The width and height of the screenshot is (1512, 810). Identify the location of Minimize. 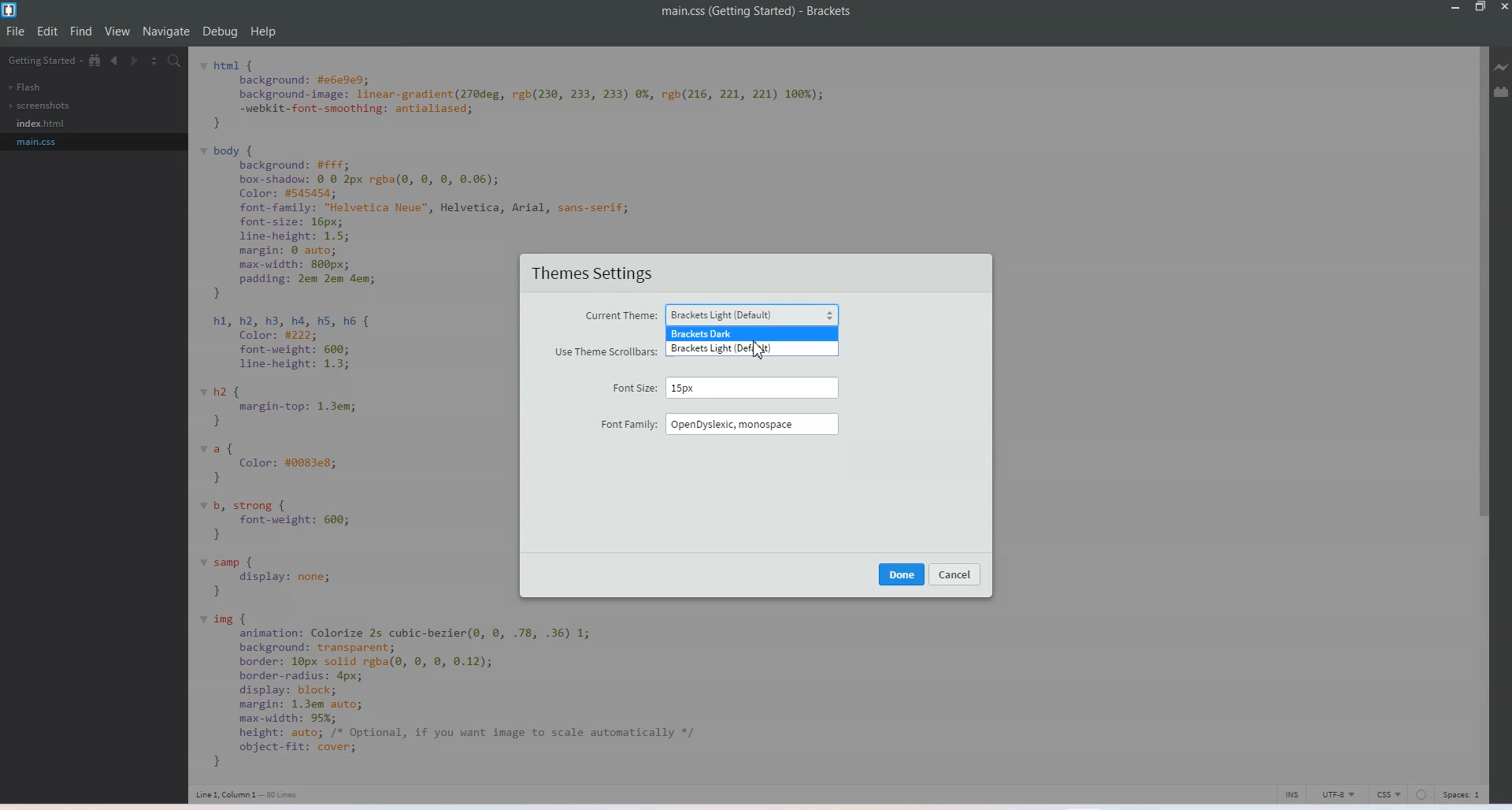
(1453, 8).